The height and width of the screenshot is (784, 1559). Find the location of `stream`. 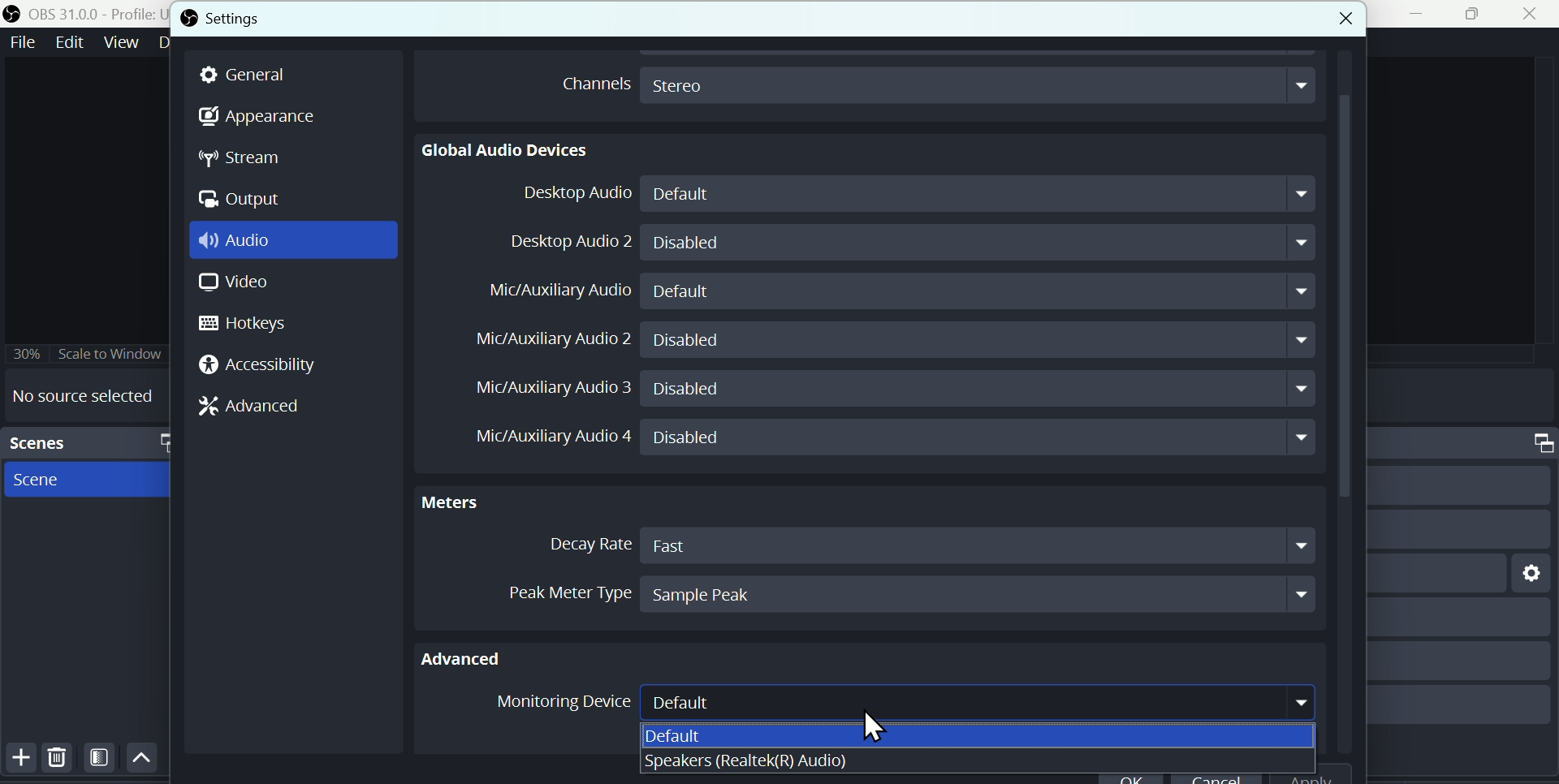

stream is located at coordinates (247, 160).